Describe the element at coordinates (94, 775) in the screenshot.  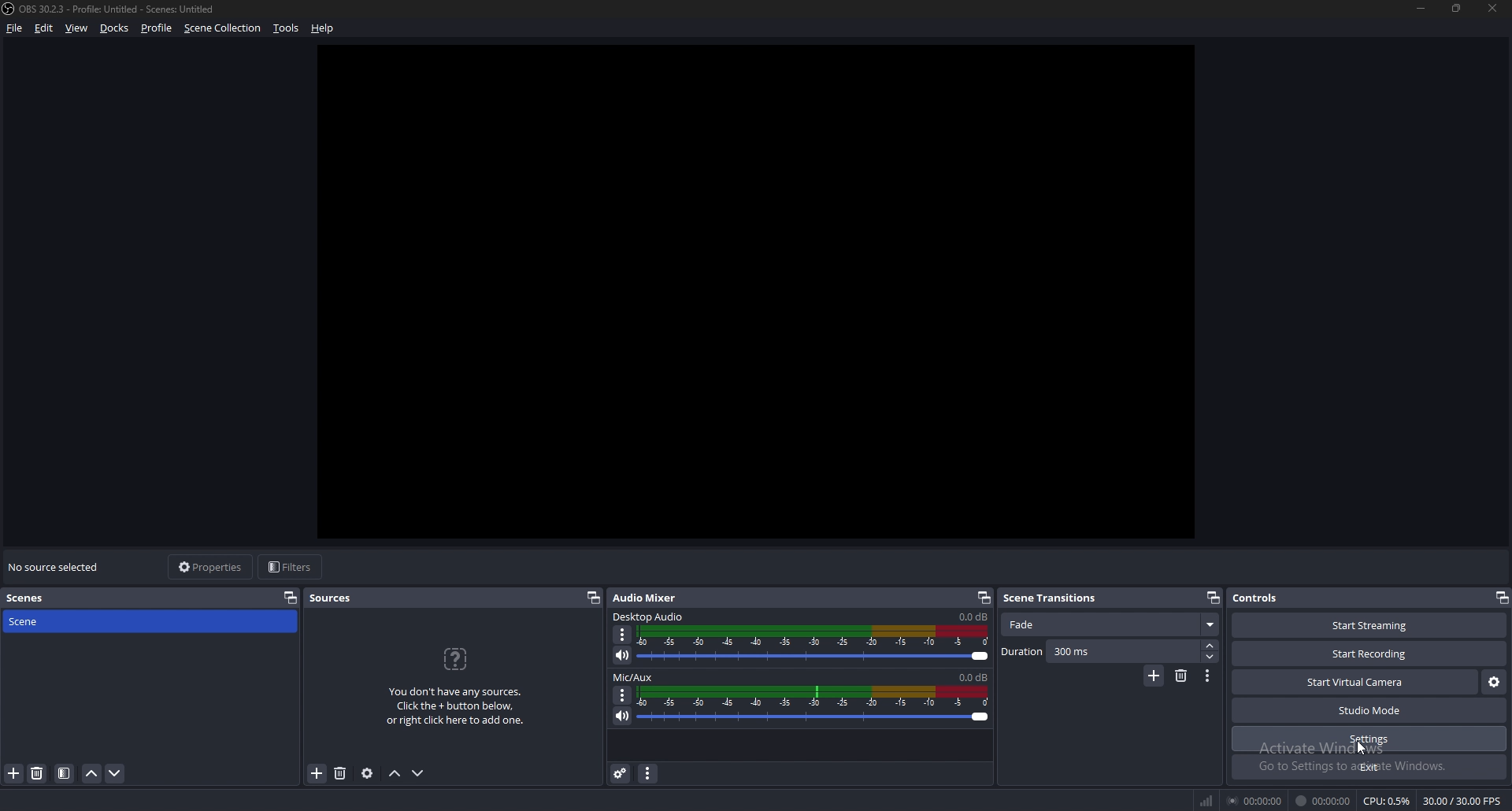
I see `move scene up` at that location.